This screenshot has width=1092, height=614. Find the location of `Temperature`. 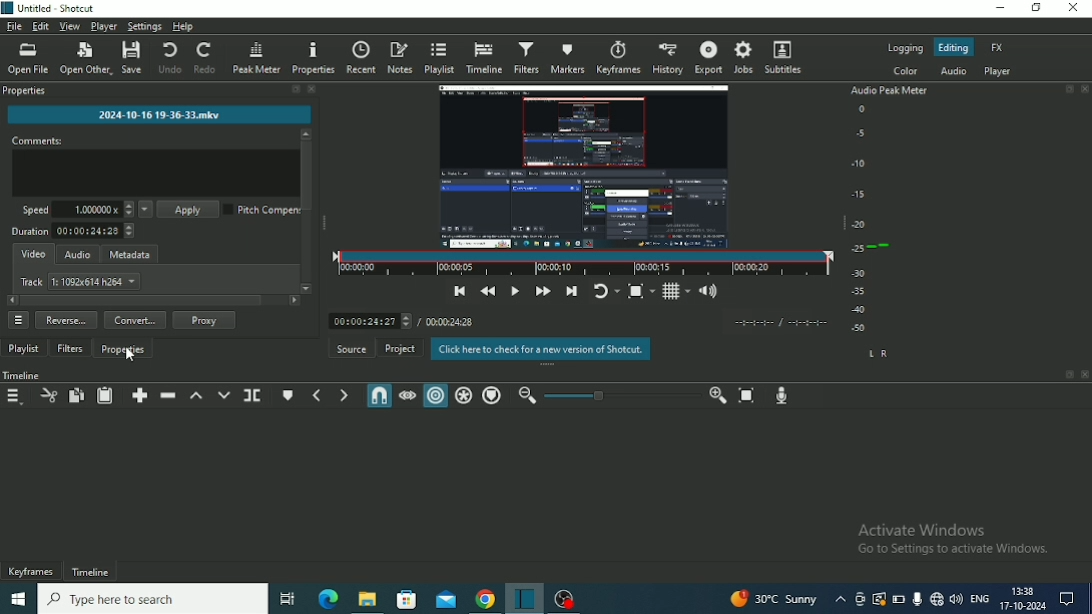

Temperature is located at coordinates (773, 599).